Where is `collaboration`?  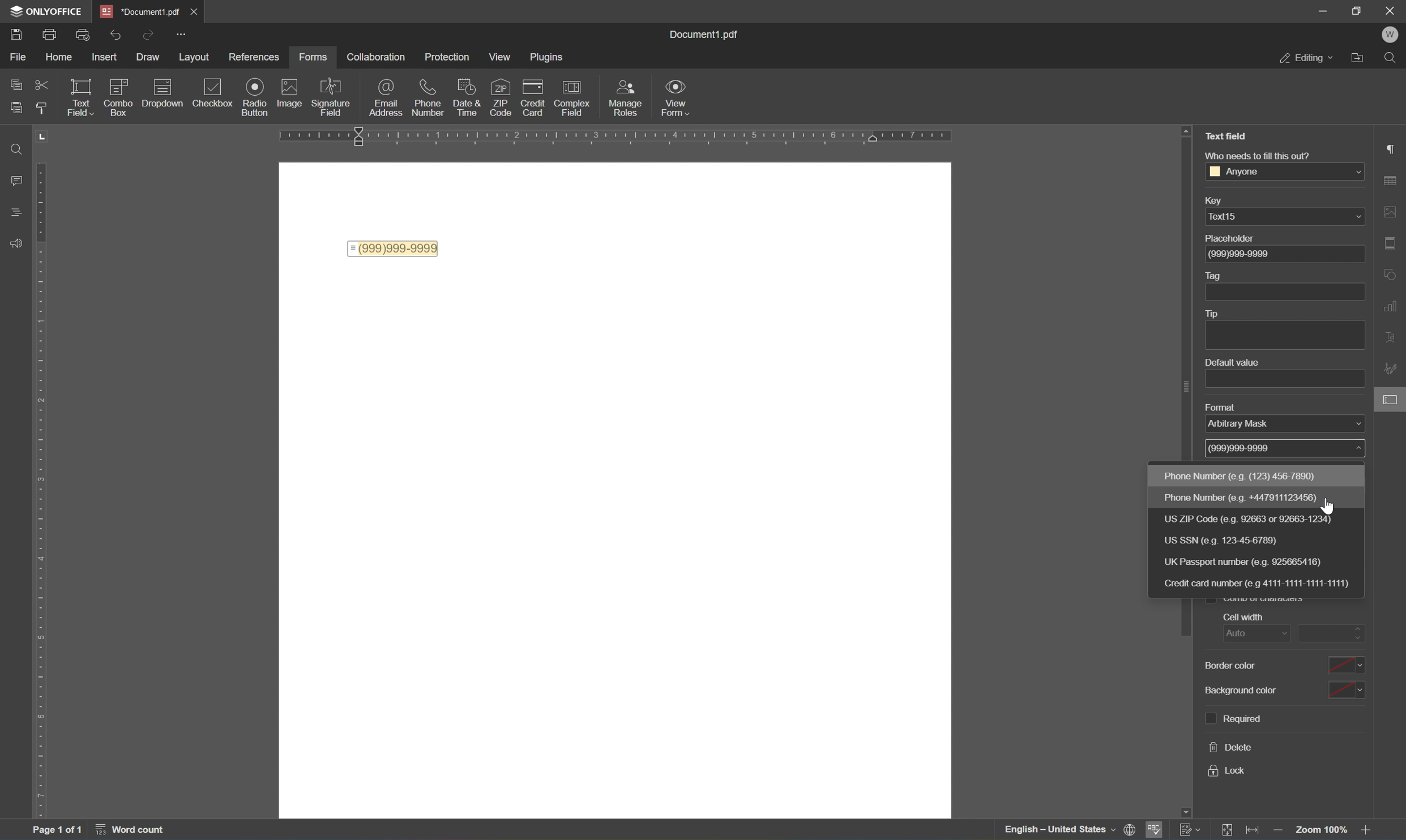
collaboration is located at coordinates (377, 57).